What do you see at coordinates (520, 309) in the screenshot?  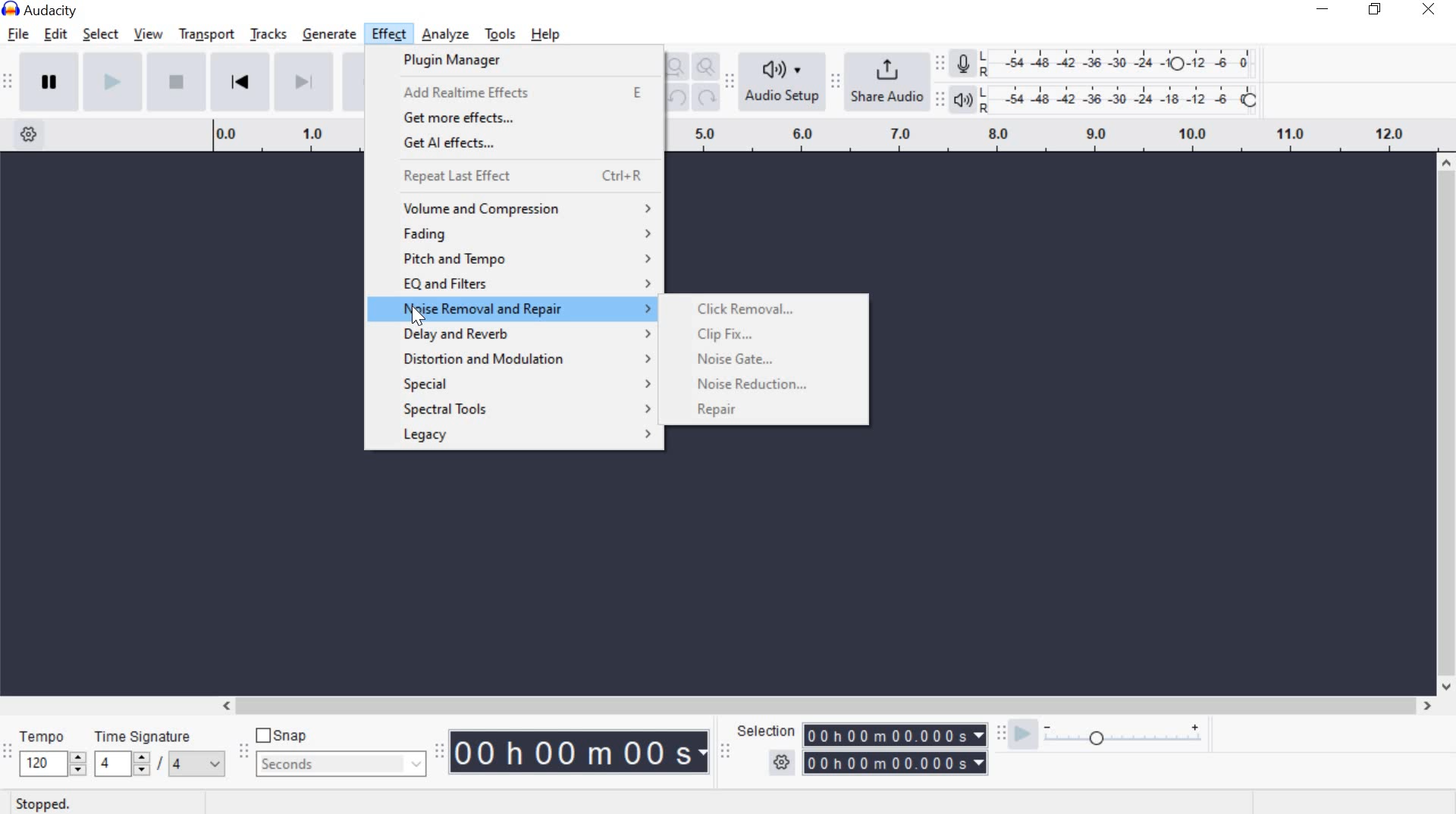 I see `noise removal and repair` at bounding box center [520, 309].